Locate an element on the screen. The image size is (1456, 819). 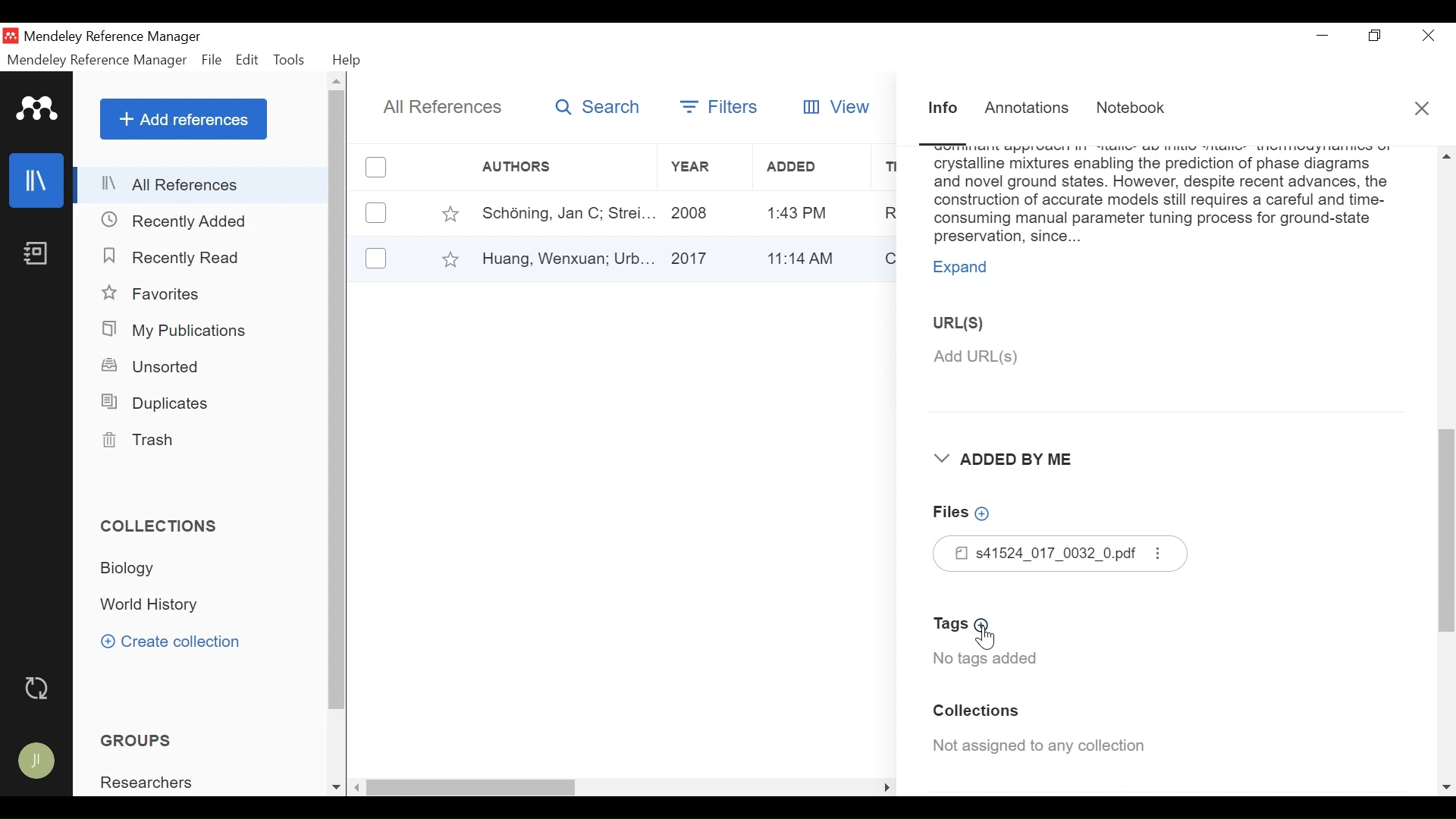
Author is located at coordinates (562, 212).